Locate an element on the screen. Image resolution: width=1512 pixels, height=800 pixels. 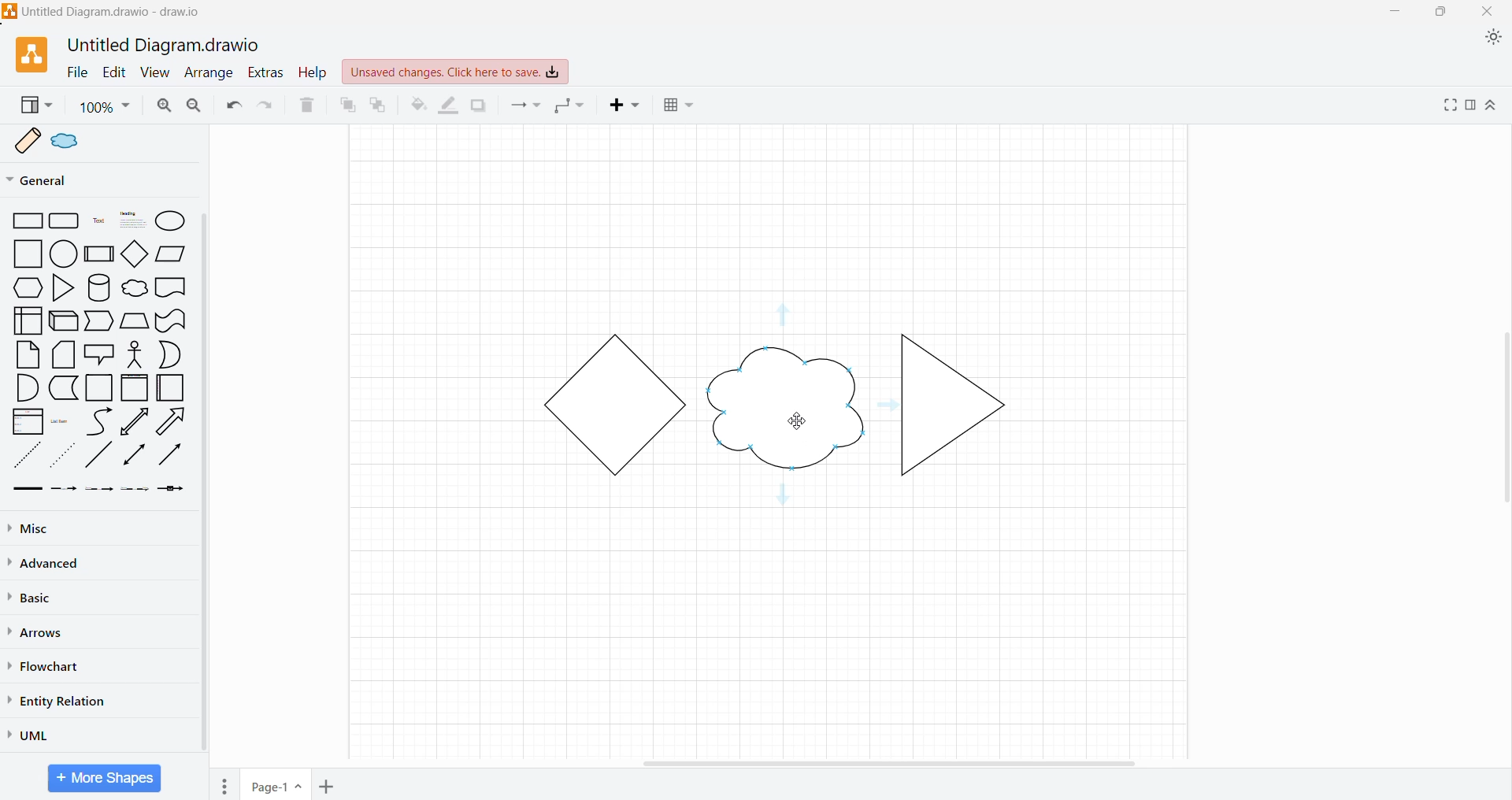
To Back is located at coordinates (380, 106).